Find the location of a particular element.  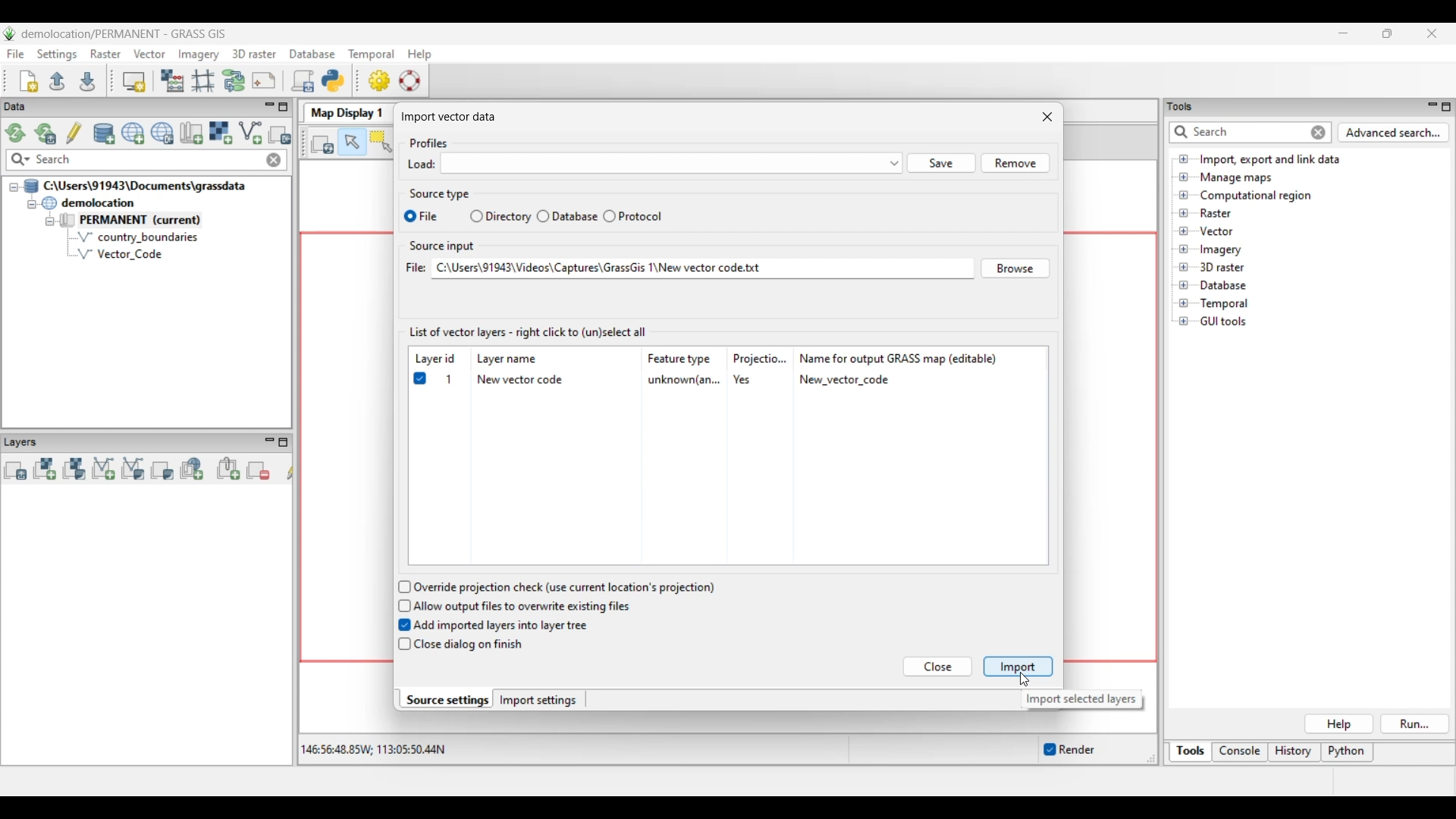

Double click to see files under GUI tools is located at coordinates (1224, 322).